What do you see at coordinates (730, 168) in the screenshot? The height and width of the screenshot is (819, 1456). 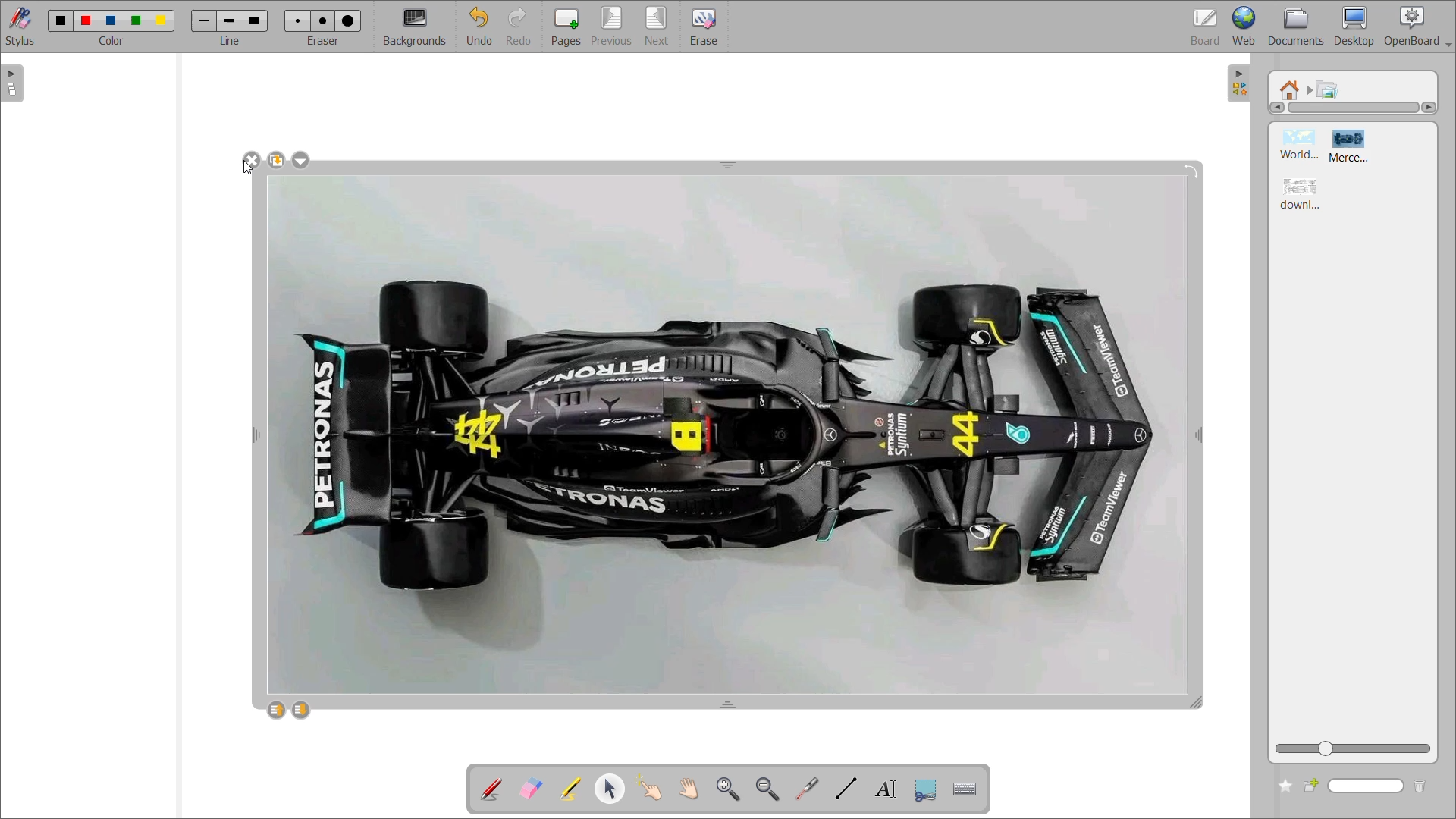 I see `double arrow` at bounding box center [730, 168].